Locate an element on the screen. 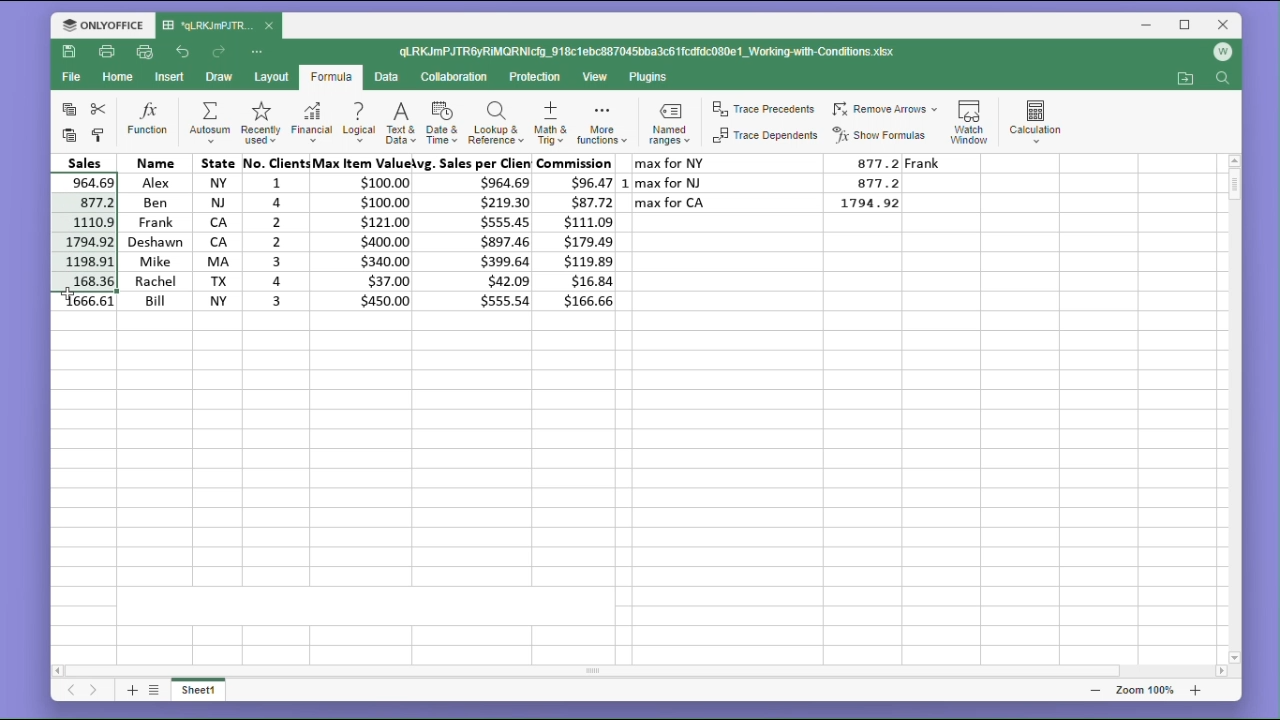 The width and height of the screenshot is (1280, 720). max for CA 1794.92 is located at coordinates (774, 203).